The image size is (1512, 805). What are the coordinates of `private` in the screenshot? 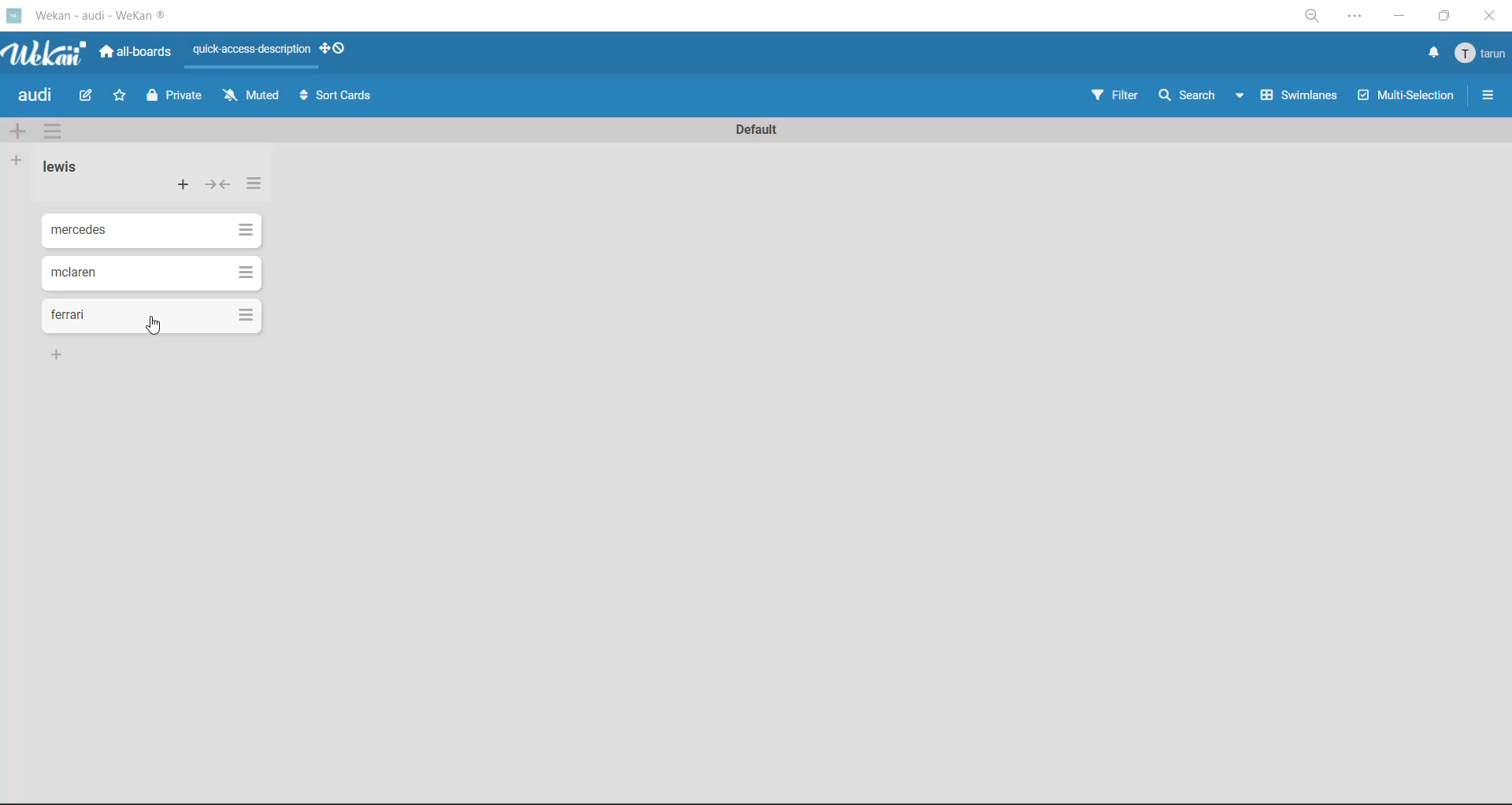 It's located at (177, 99).